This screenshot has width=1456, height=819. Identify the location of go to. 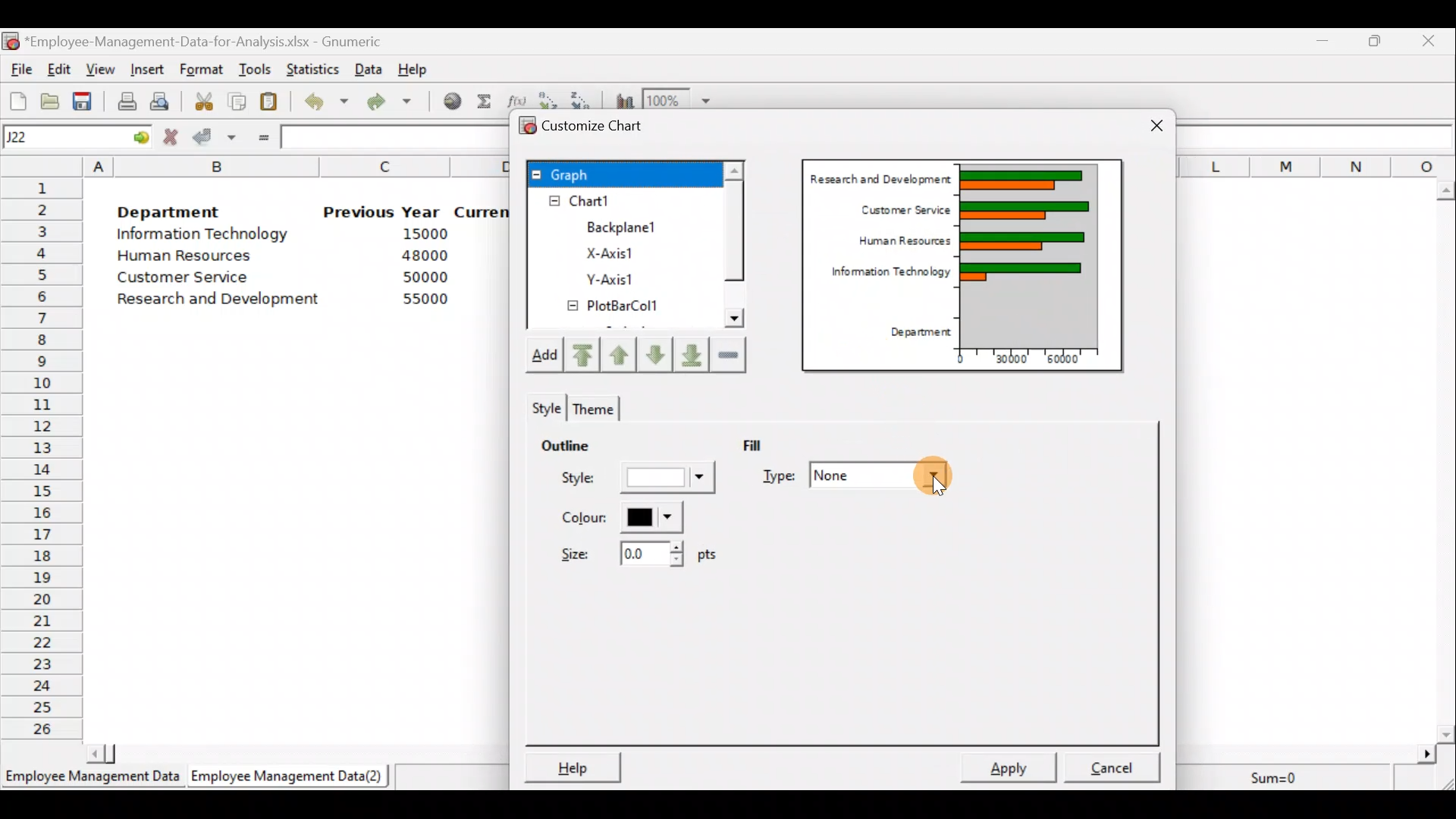
(140, 137).